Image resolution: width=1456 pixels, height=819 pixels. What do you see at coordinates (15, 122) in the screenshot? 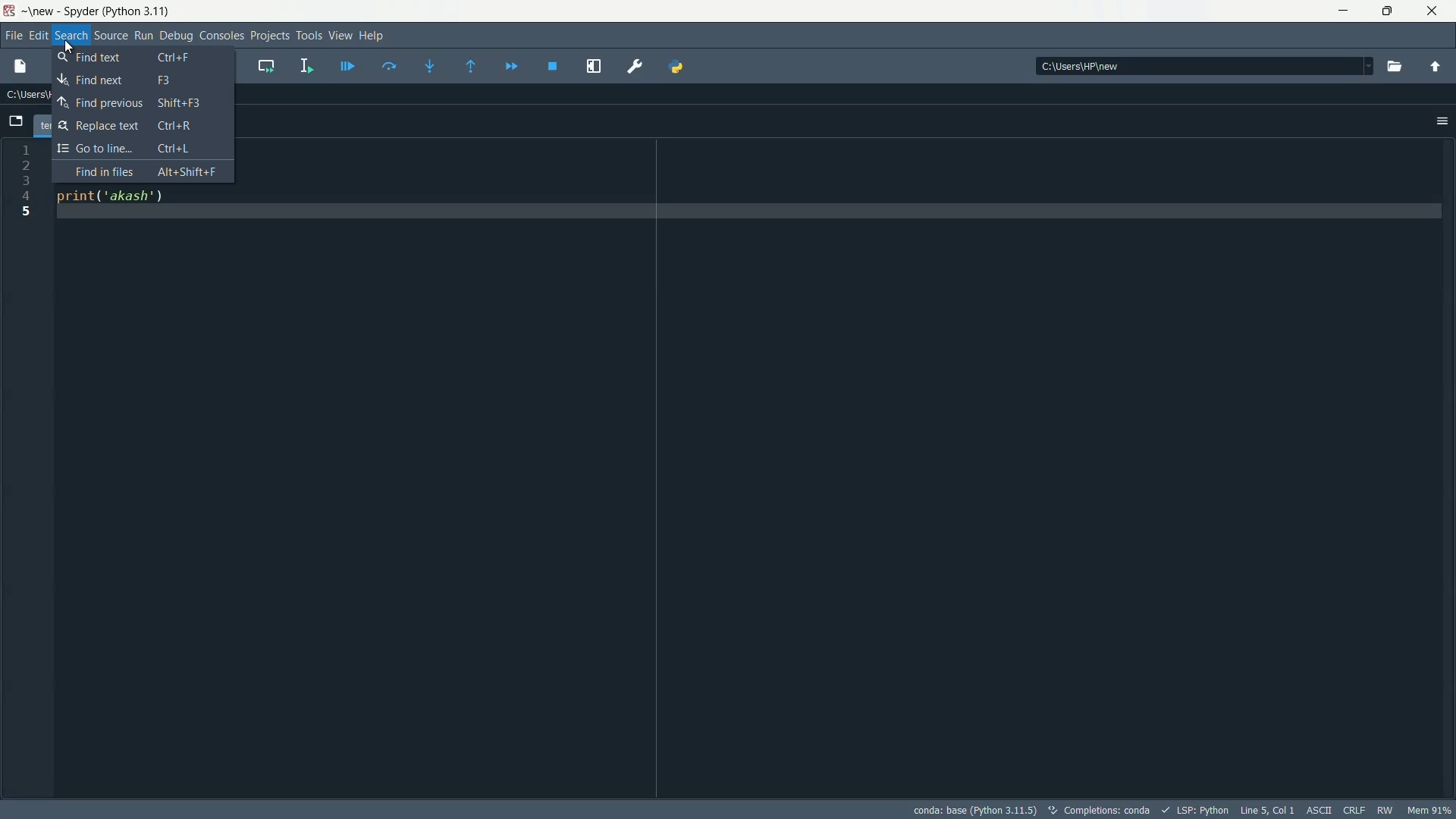
I see `browse tabs` at bounding box center [15, 122].